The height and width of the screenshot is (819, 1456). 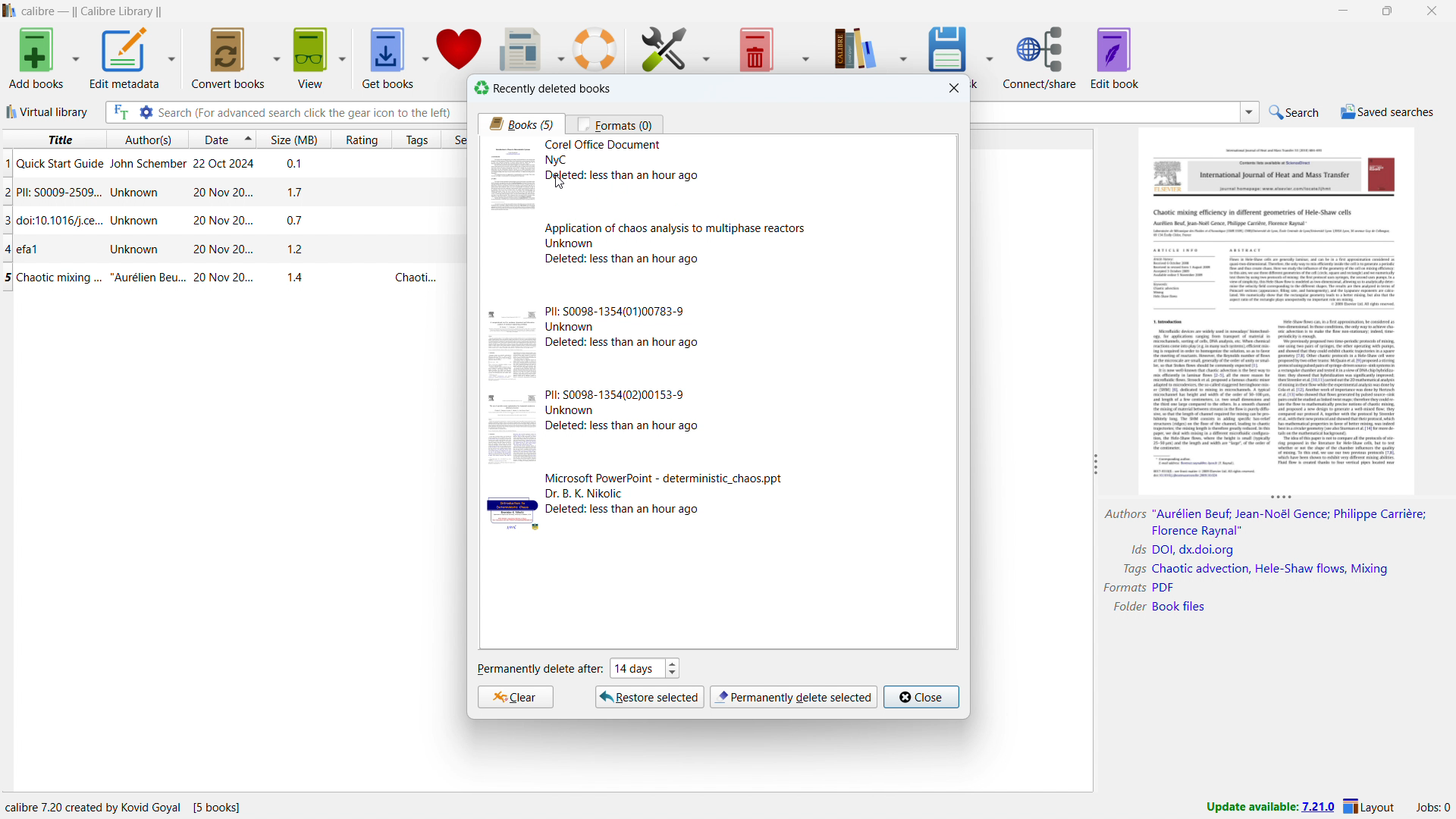 What do you see at coordinates (651, 697) in the screenshot?
I see `restore selcted` at bounding box center [651, 697].